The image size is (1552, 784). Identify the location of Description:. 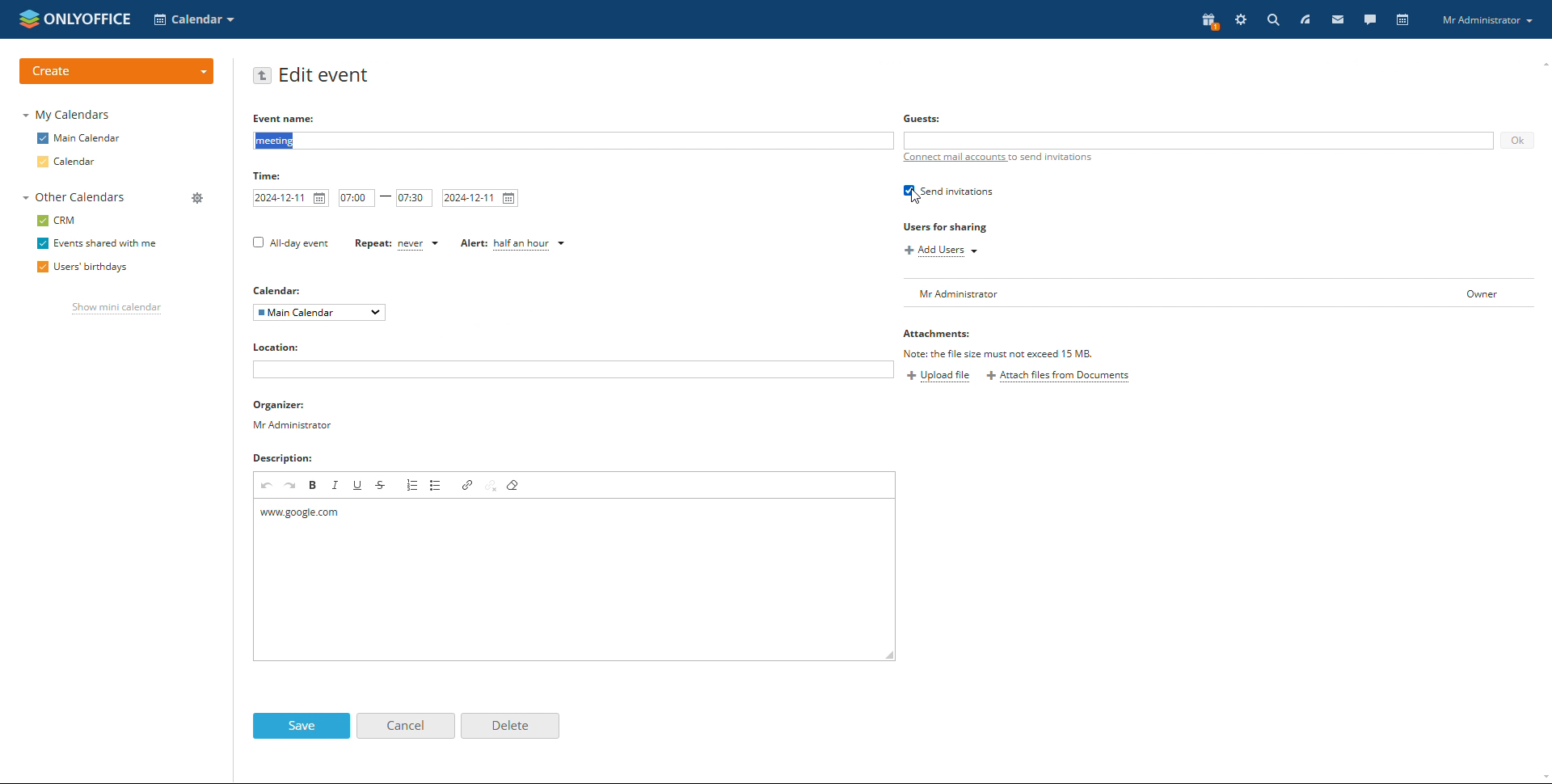
(282, 457).